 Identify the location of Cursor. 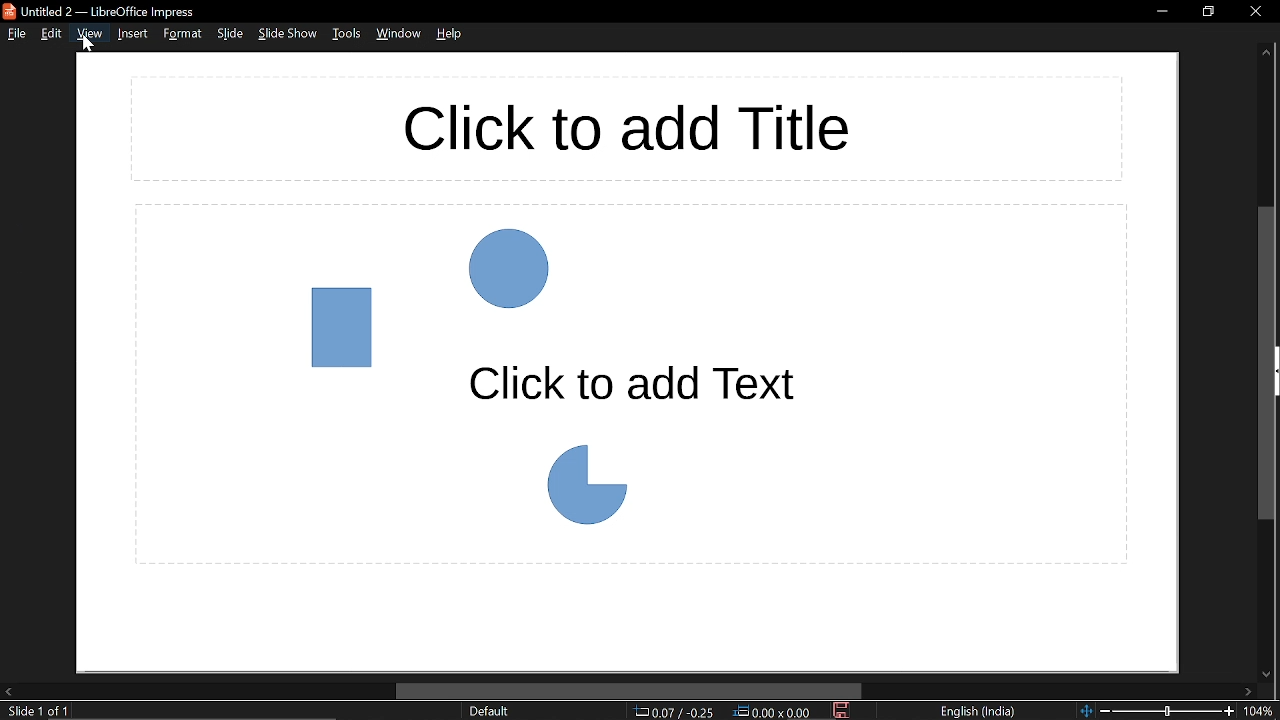
(89, 45).